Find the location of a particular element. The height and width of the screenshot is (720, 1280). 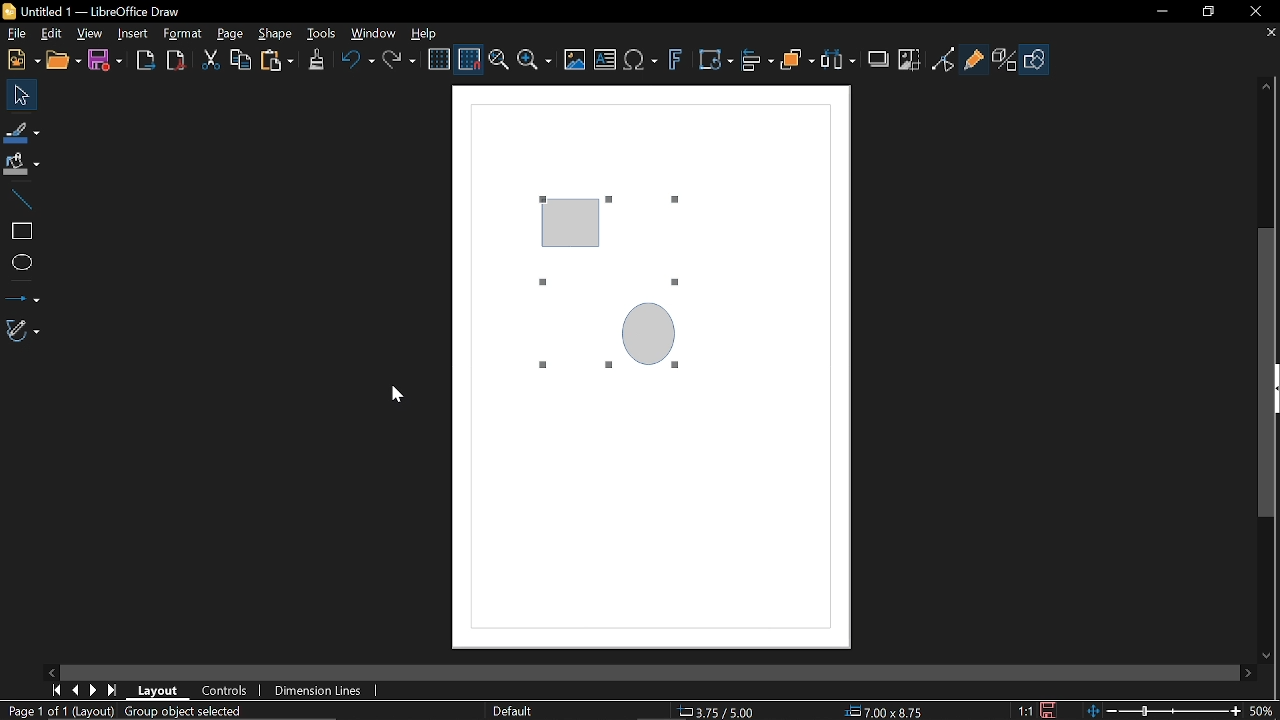

Zoom is located at coordinates (537, 62).